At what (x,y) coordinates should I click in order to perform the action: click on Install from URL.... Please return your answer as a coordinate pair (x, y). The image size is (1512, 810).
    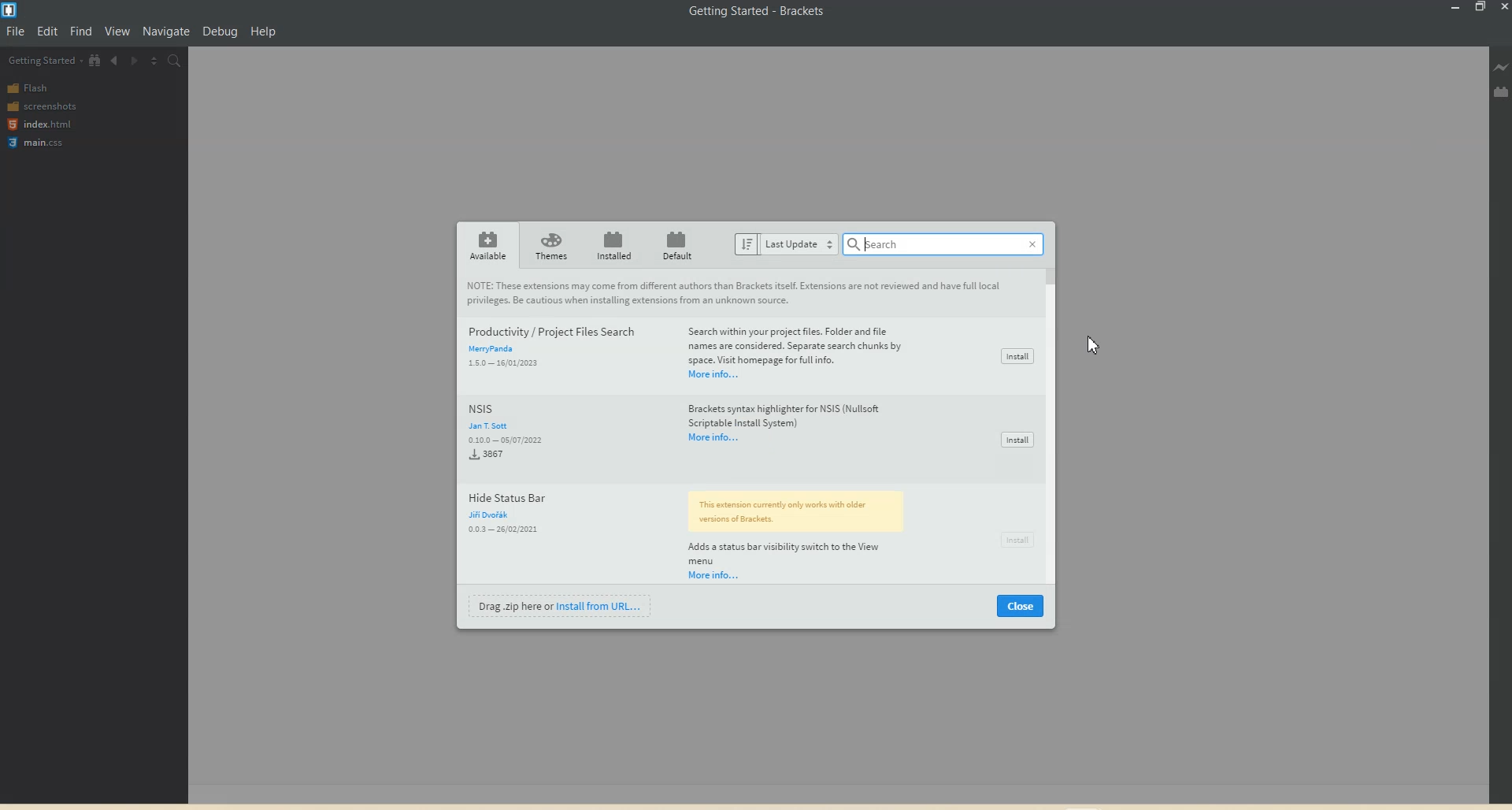
    Looking at the image, I should click on (605, 605).